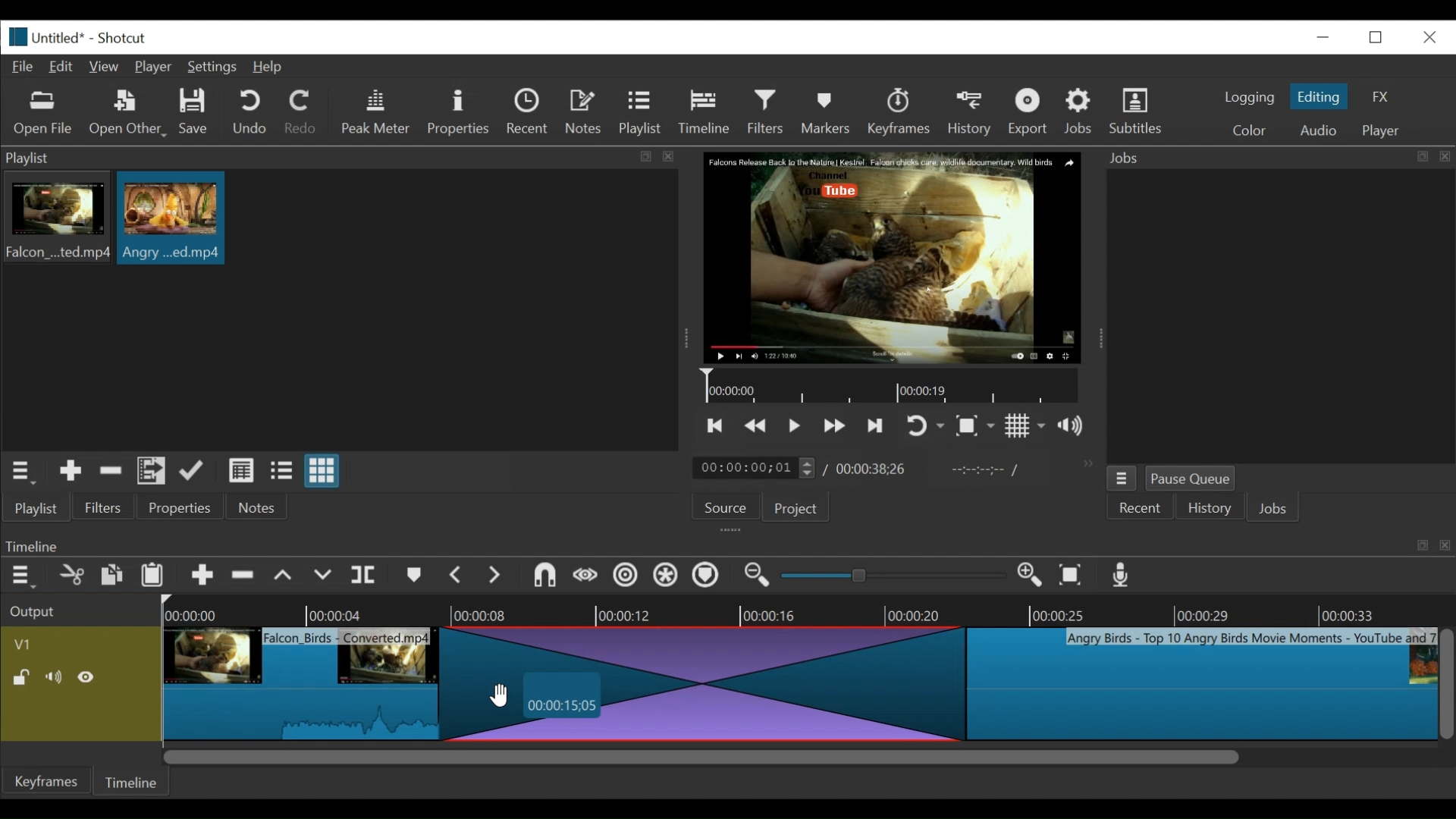 The image size is (1456, 819). I want to click on View, so click(105, 67).